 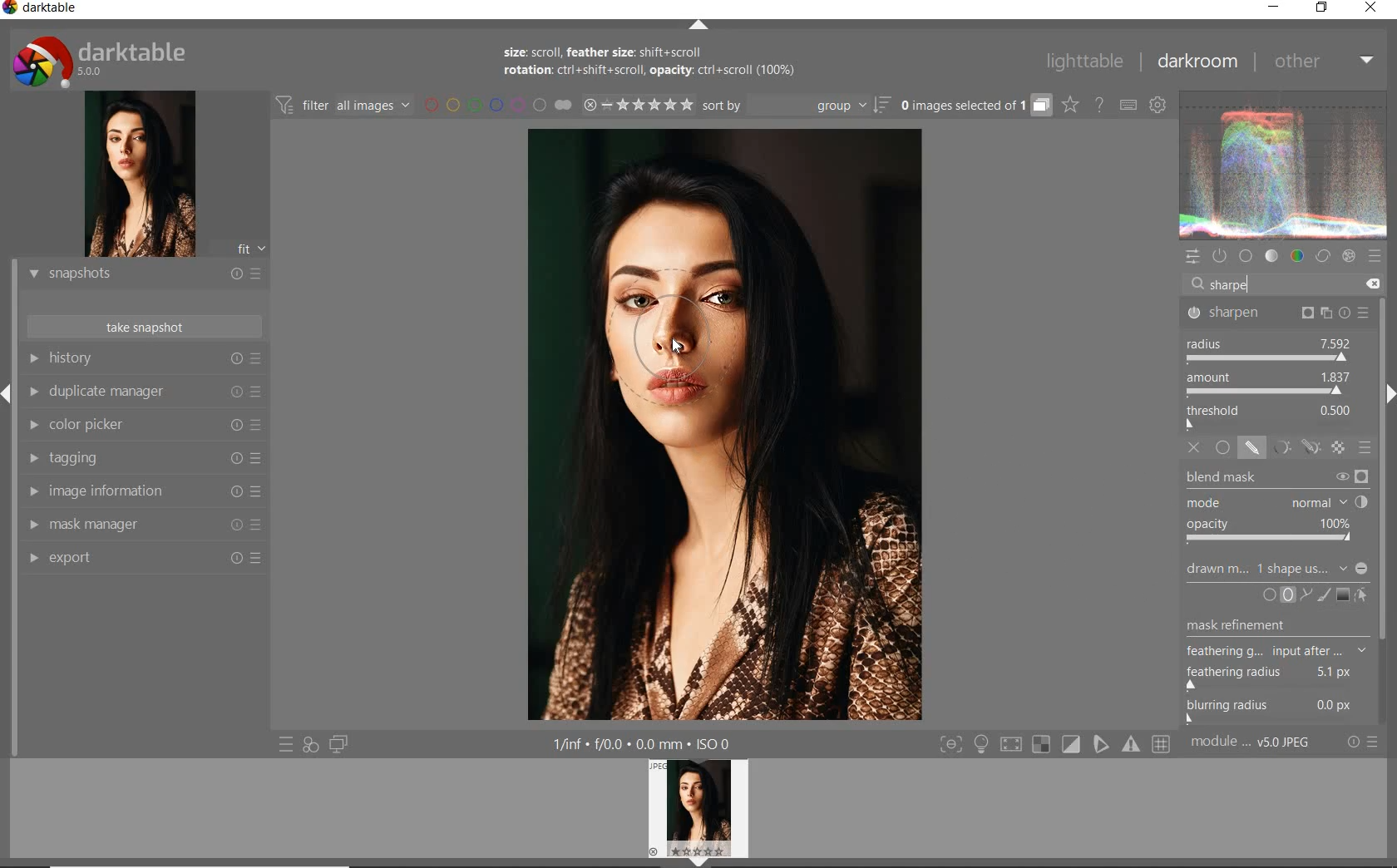 I want to click on UNIFORMLY, so click(x=1222, y=448).